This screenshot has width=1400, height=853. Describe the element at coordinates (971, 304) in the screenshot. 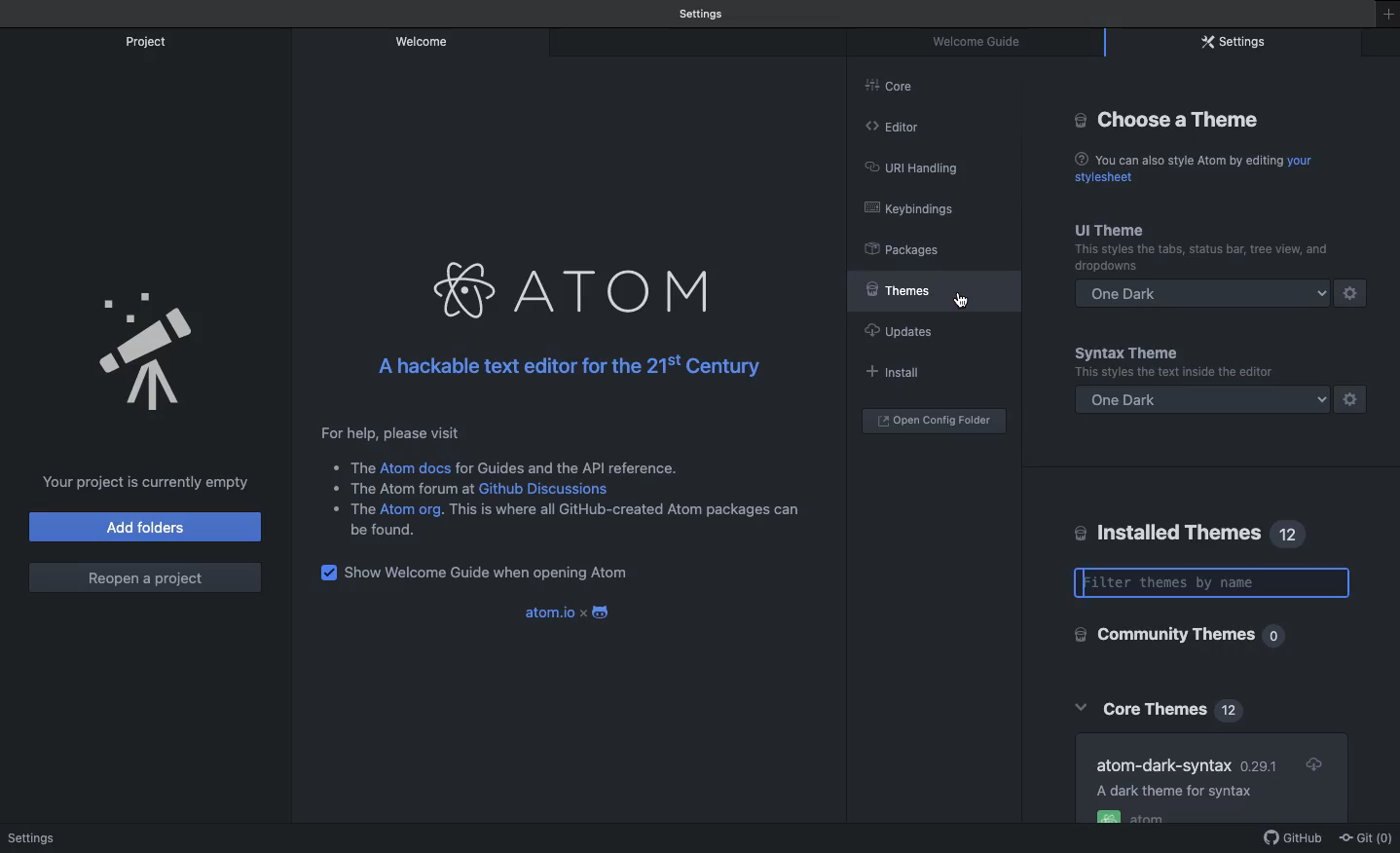

I see `cursor` at that location.